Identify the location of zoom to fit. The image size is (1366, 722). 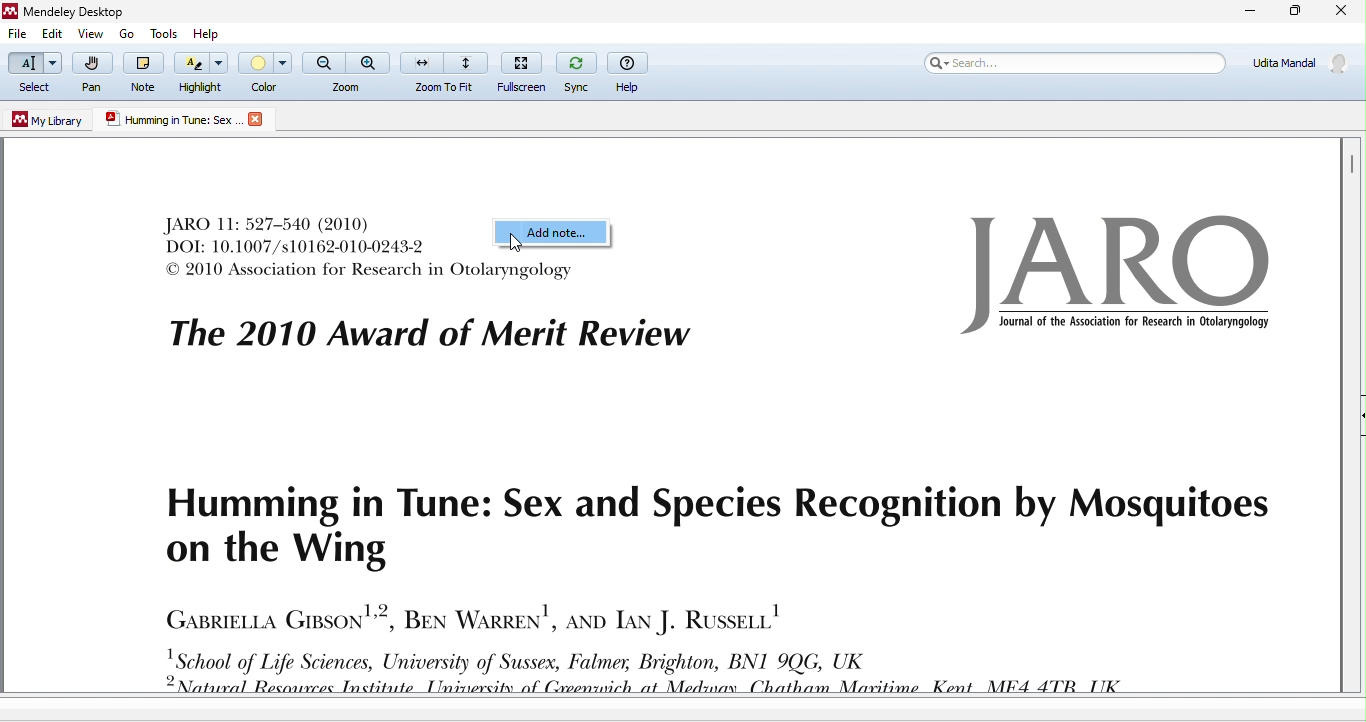
(446, 72).